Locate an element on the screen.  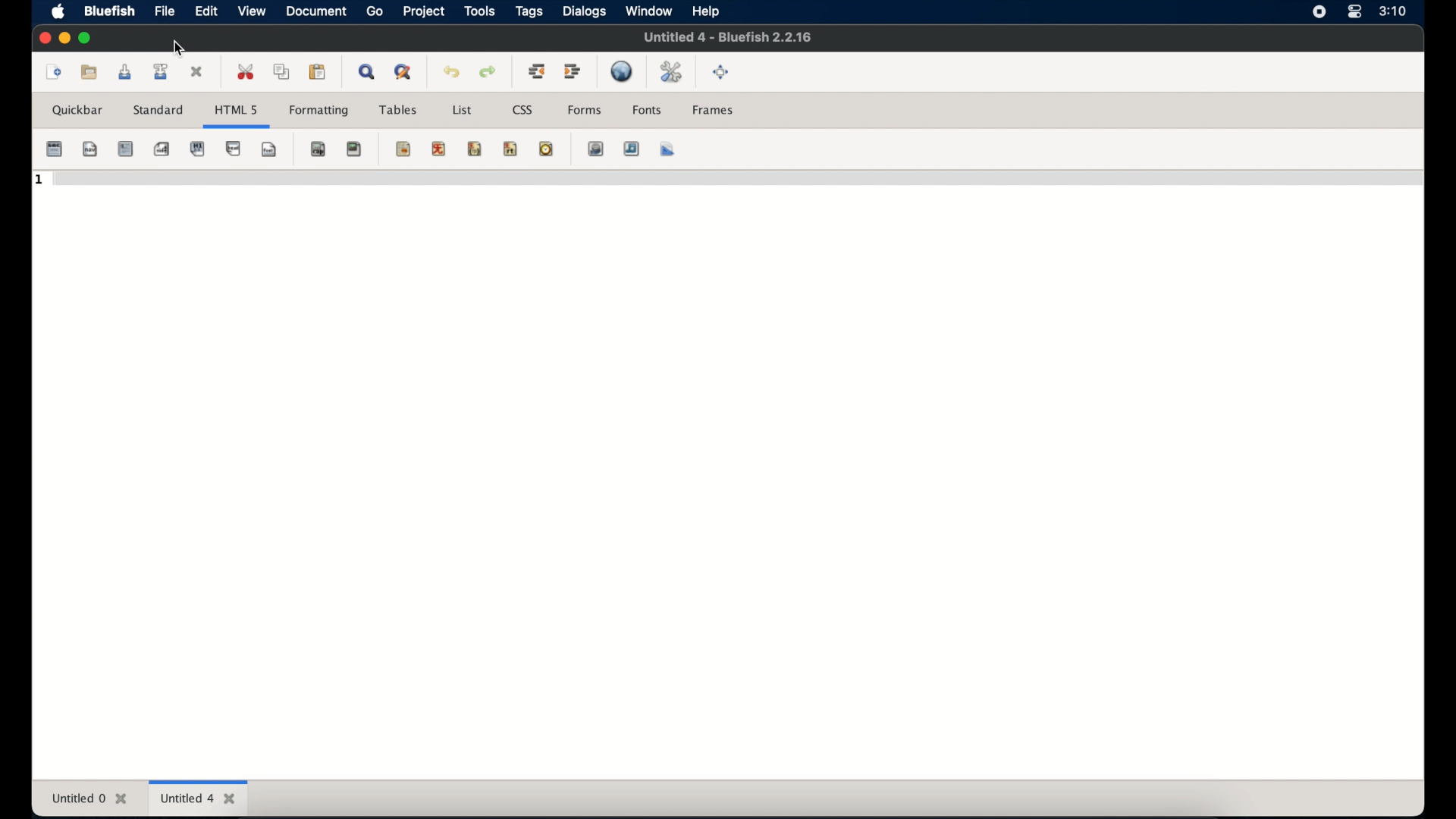
1 is located at coordinates (40, 180).